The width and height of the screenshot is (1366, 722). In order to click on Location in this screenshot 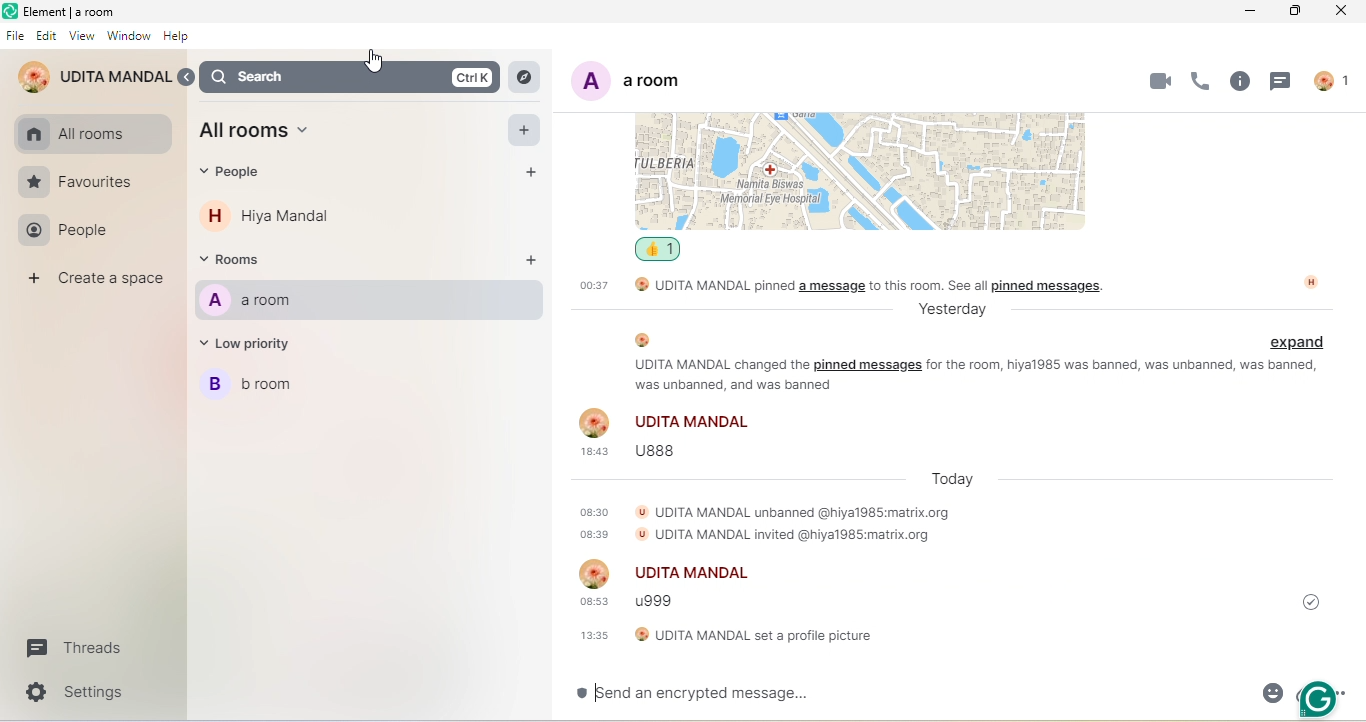, I will do `click(522, 76)`.